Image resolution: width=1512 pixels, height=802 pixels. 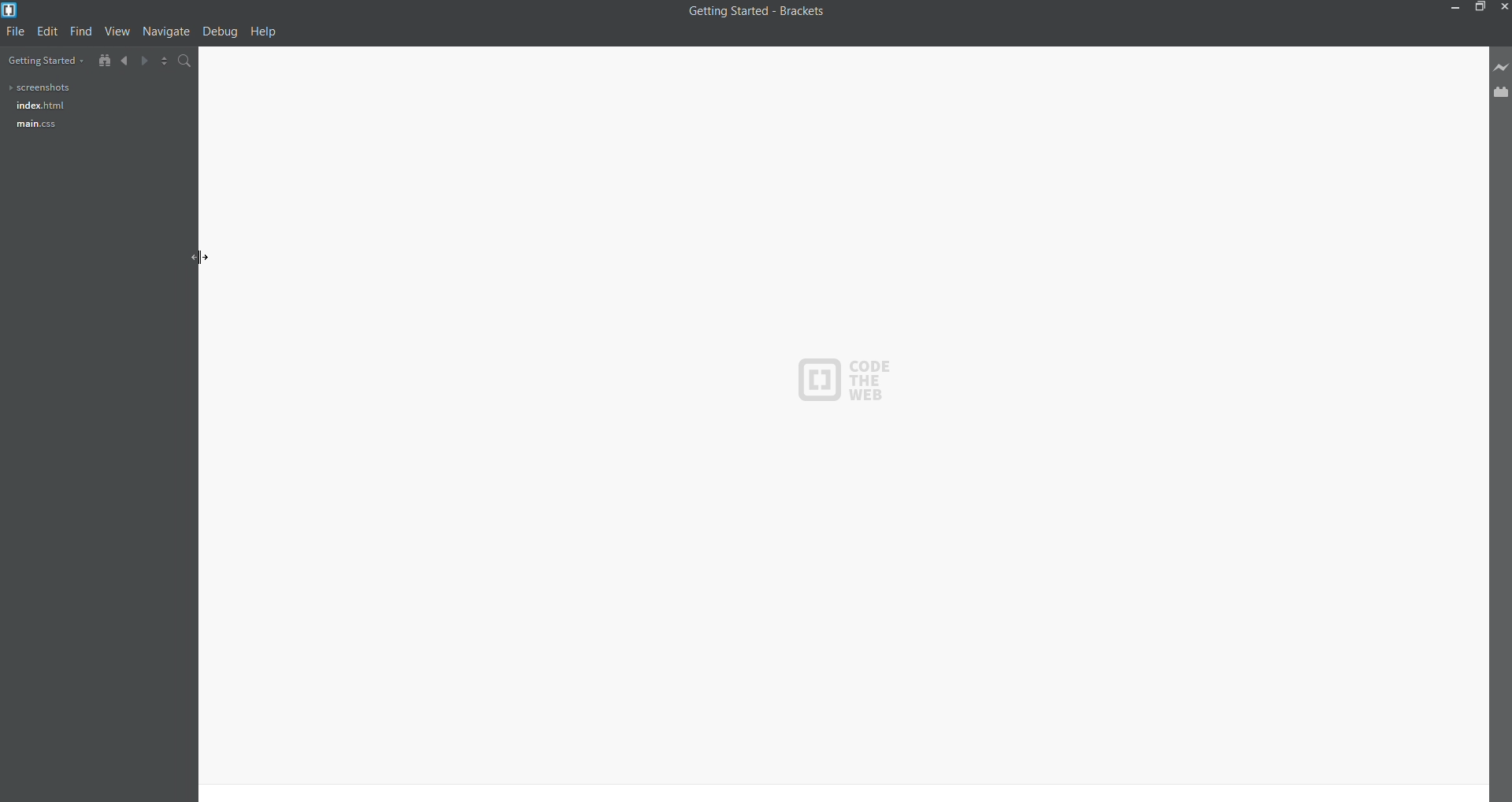 I want to click on close, so click(x=1503, y=7).